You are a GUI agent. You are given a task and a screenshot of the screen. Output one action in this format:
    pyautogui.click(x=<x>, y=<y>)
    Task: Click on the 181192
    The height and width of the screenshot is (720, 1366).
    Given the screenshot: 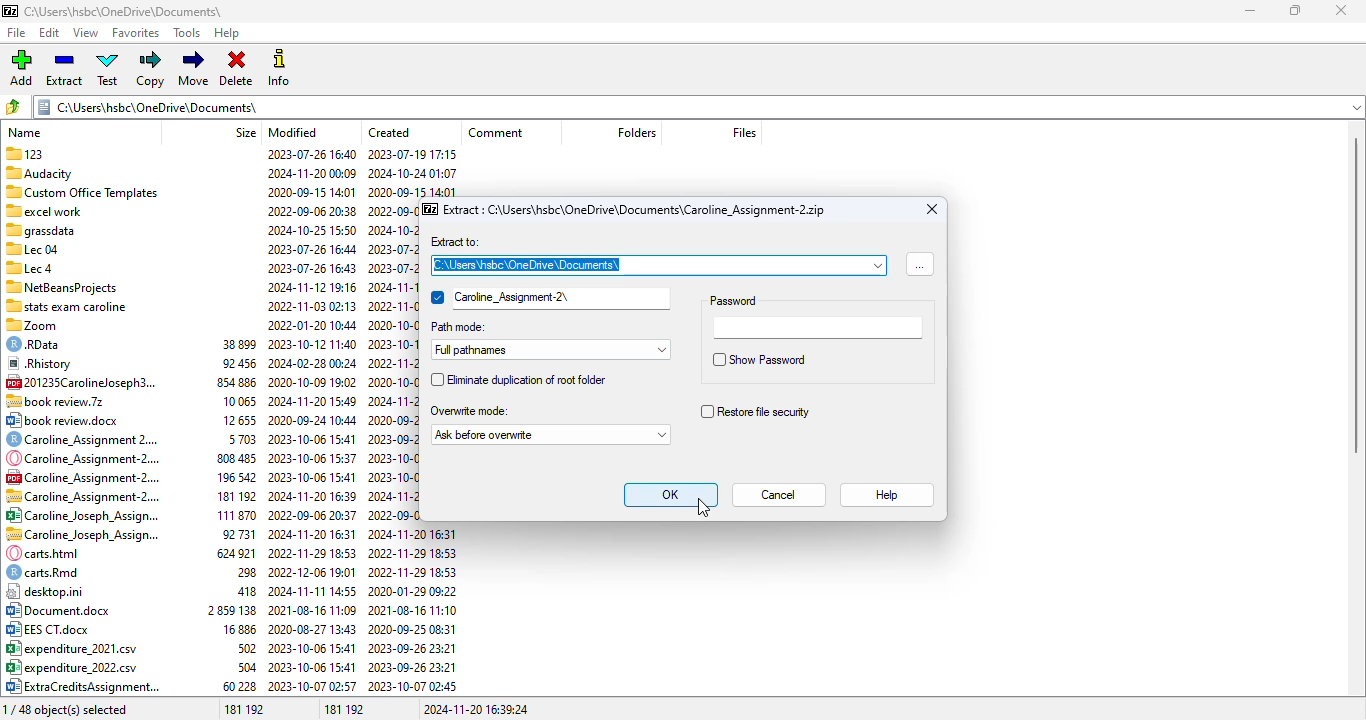 What is the action you would take?
    pyautogui.click(x=243, y=709)
    